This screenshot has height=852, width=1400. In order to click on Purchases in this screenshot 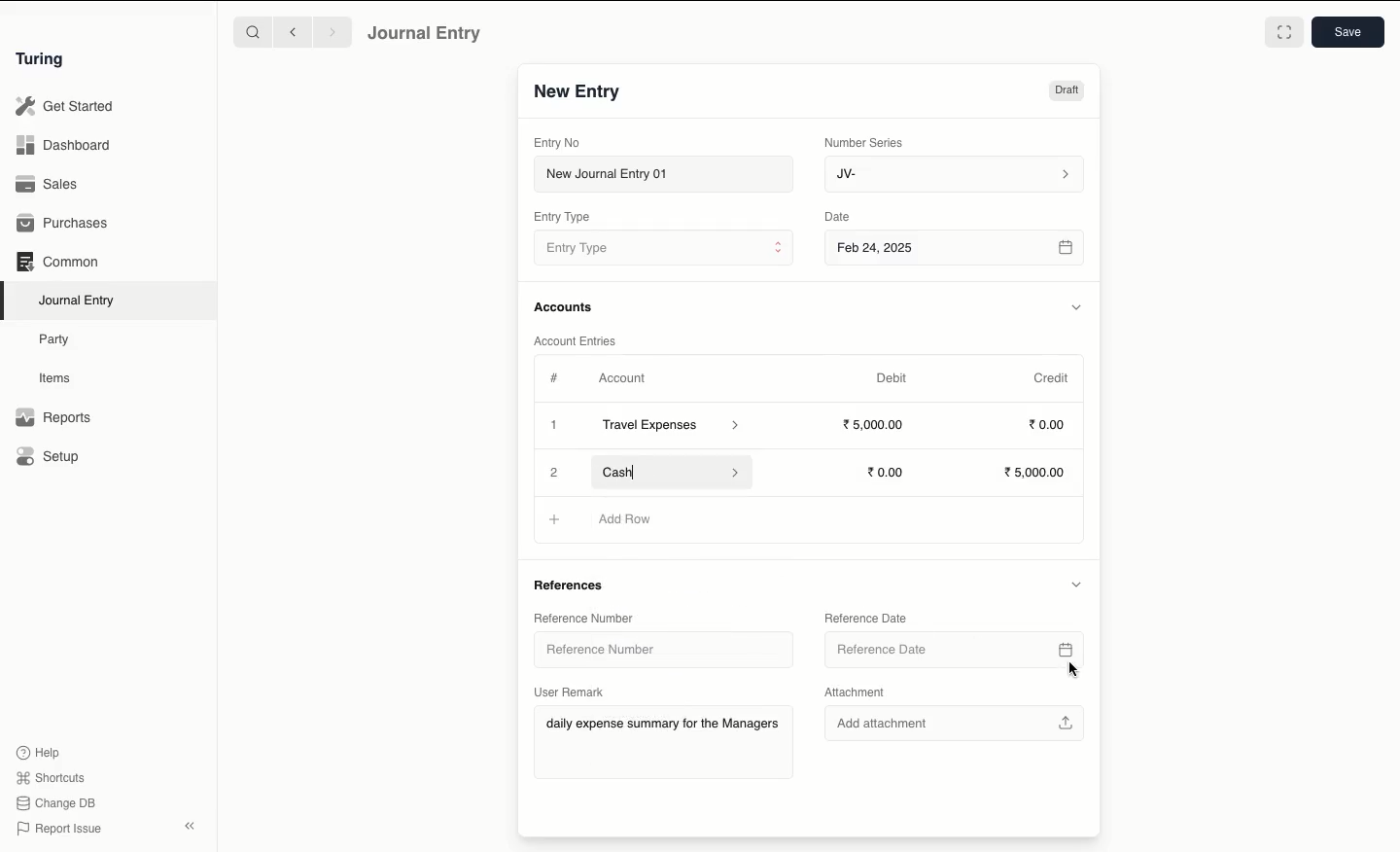, I will do `click(63, 225)`.